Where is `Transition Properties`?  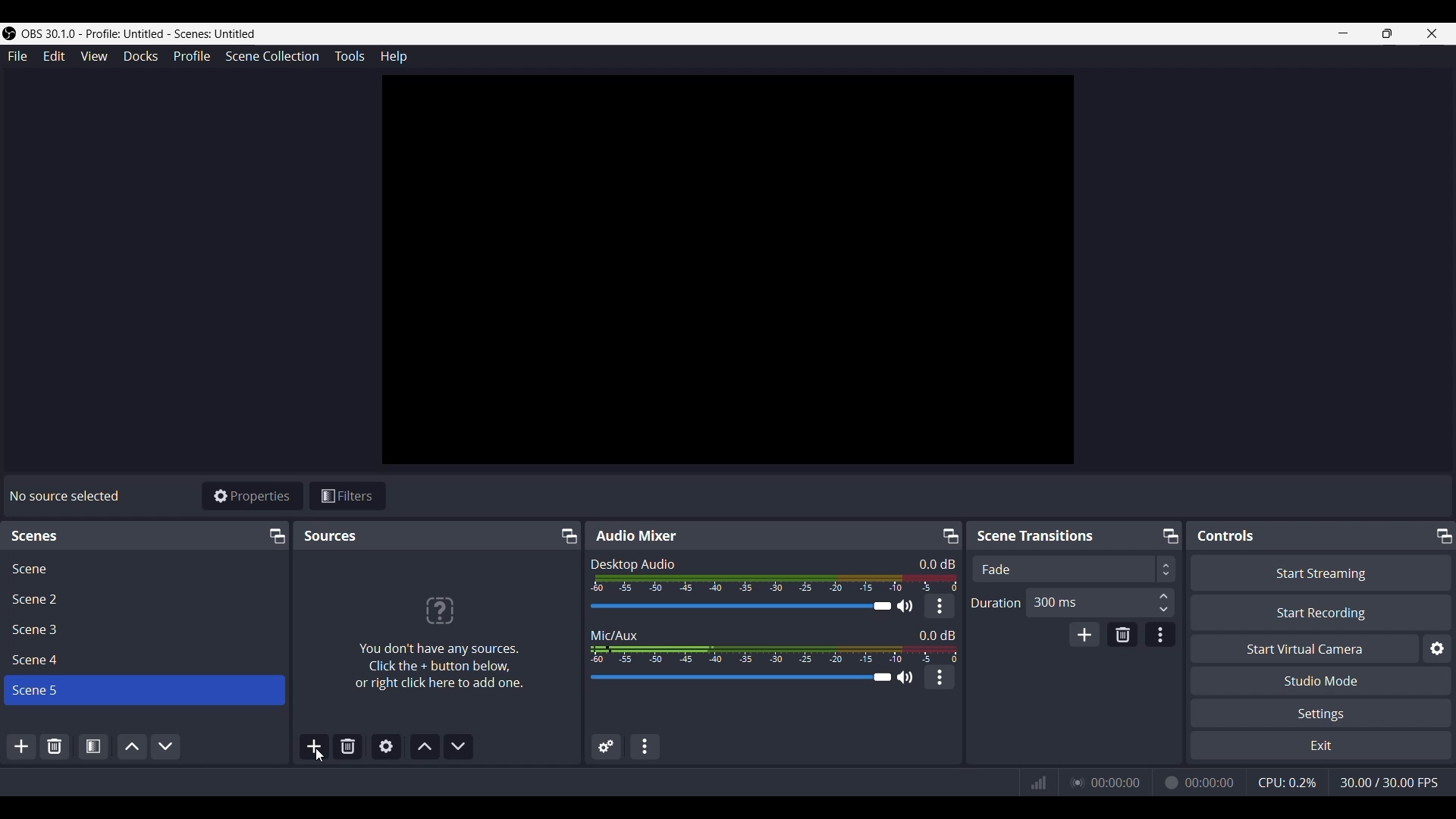 Transition Properties is located at coordinates (1160, 634).